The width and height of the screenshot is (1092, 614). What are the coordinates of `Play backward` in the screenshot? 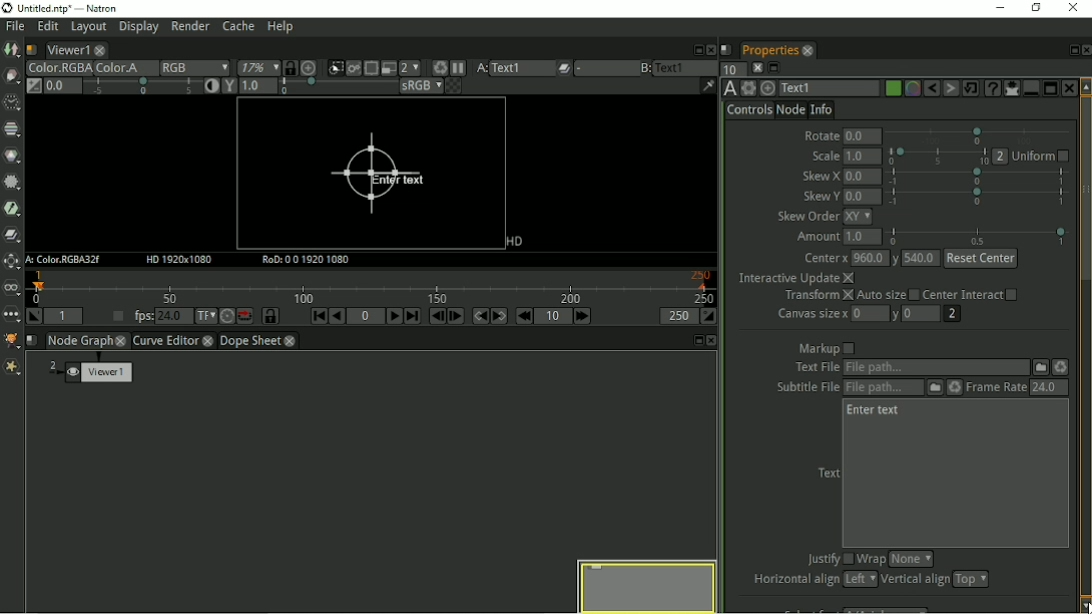 It's located at (337, 316).